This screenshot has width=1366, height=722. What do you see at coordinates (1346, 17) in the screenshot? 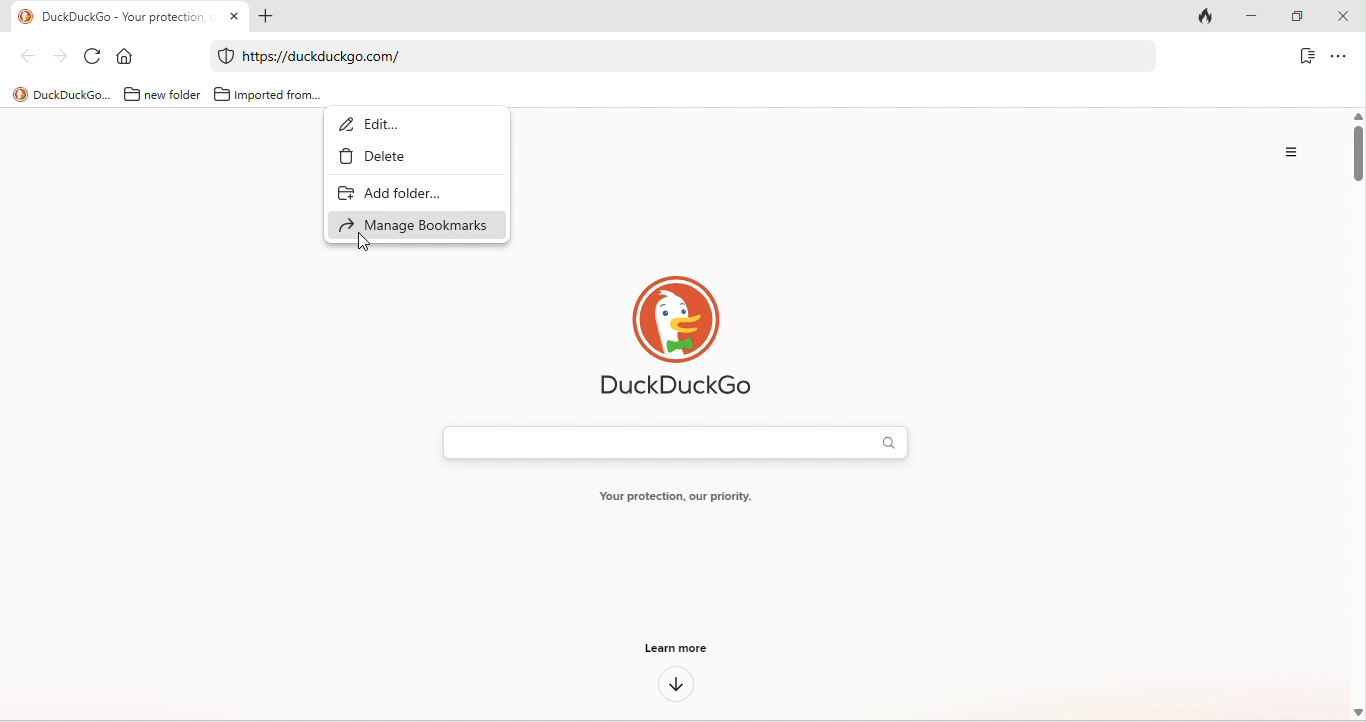
I see `close` at bounding box center [1346, 17].